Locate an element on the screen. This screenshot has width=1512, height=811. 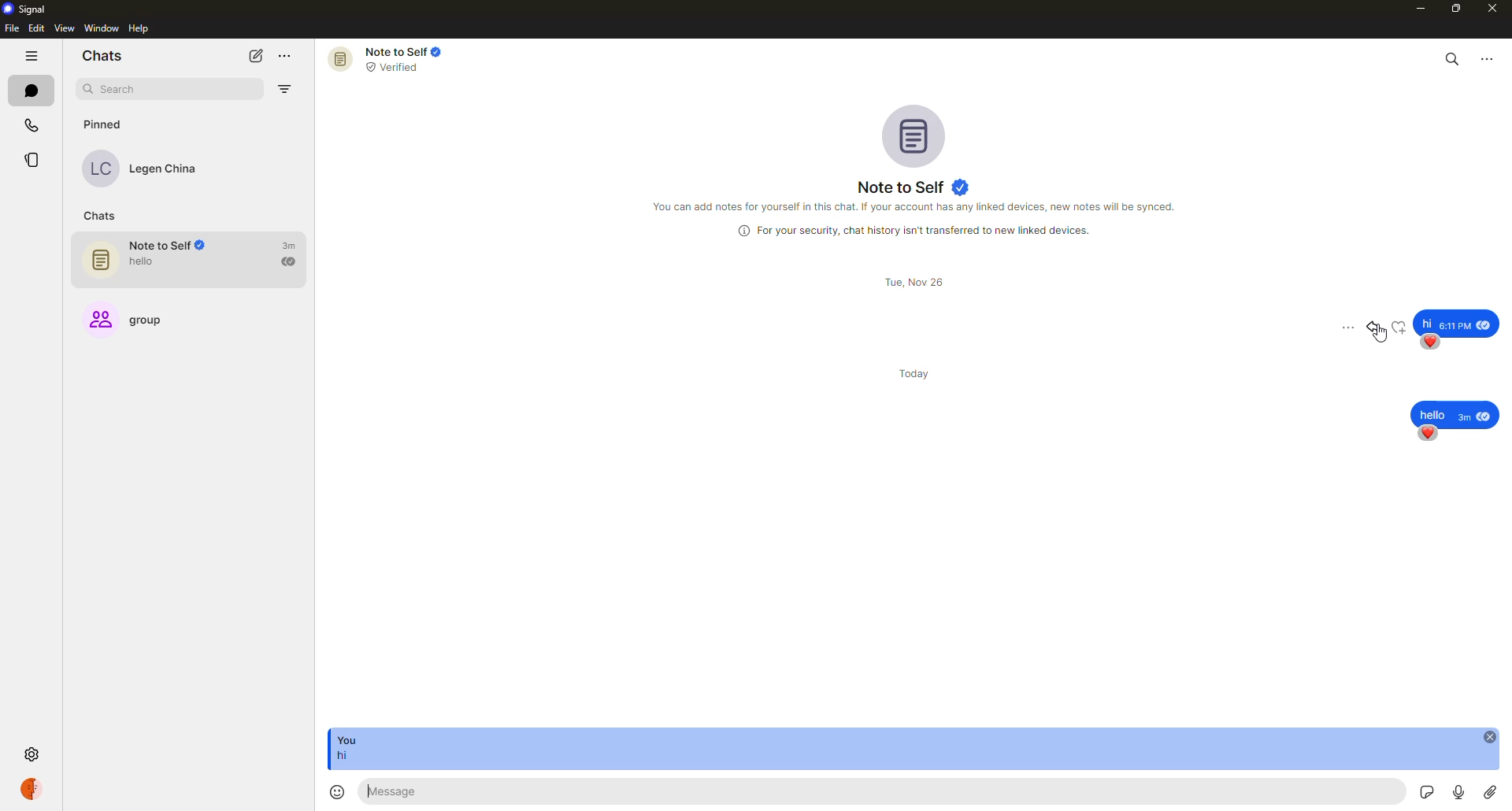
contact is located at coordinates (151, 168).